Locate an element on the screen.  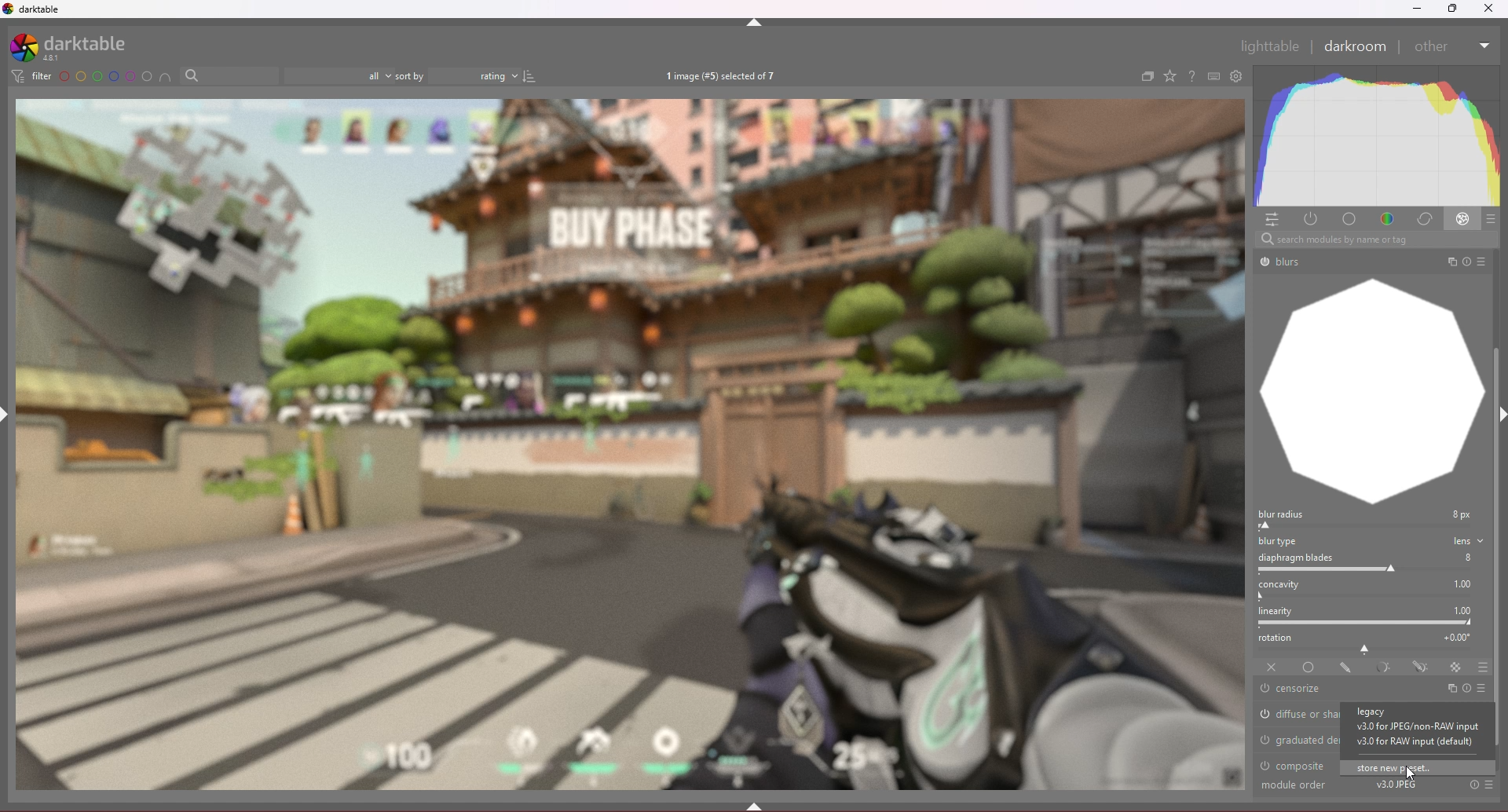
heat graph is located at coordinates (1376, 136).